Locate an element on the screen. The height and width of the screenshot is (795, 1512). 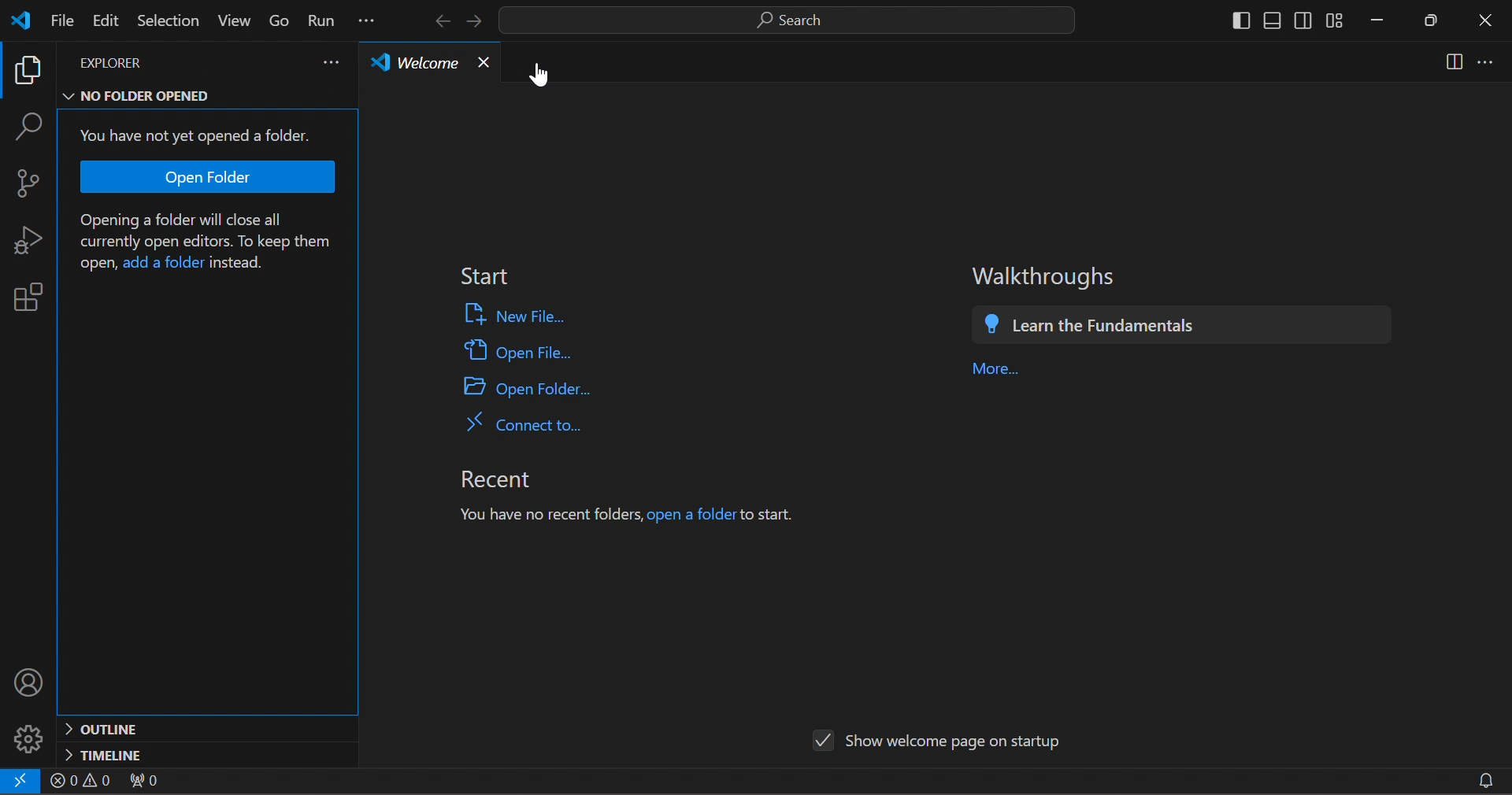
more is located at coordinates (372, 18).